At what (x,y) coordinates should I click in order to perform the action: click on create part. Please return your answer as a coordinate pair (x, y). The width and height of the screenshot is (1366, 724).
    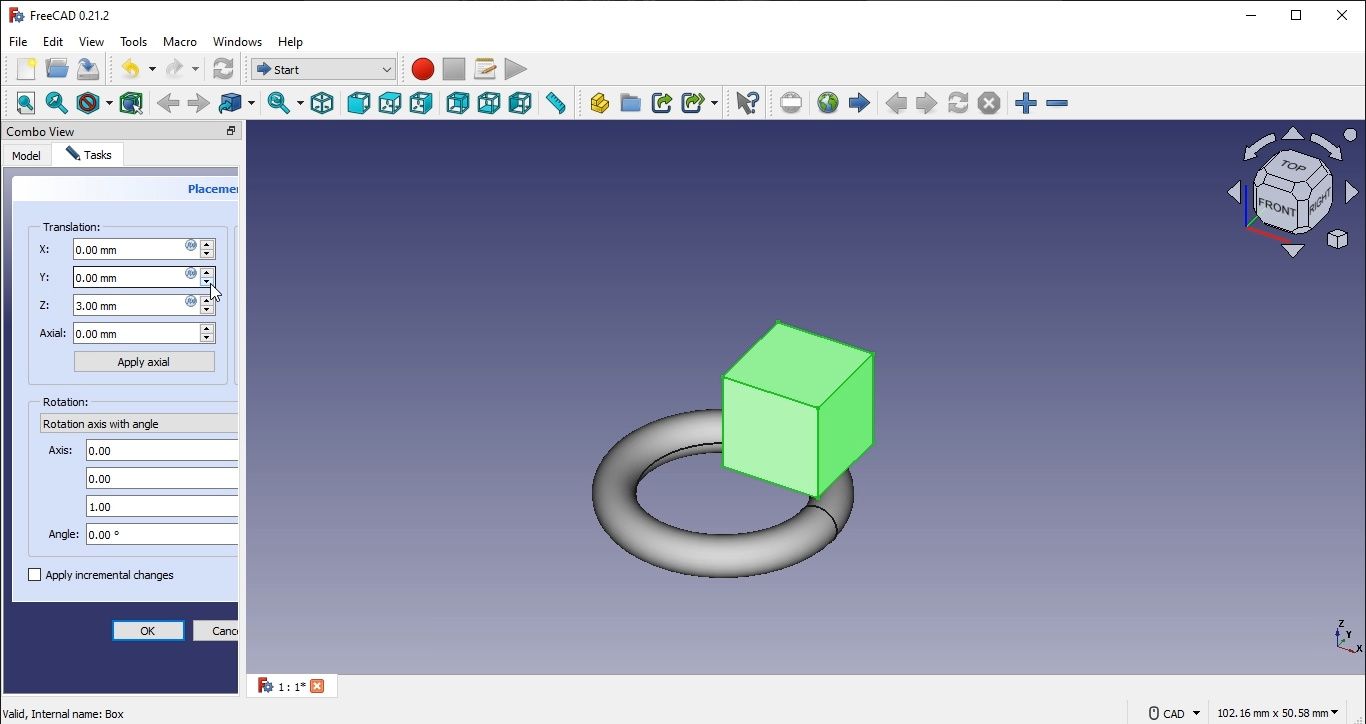
    Looking at the image, I should click on (598, 104).